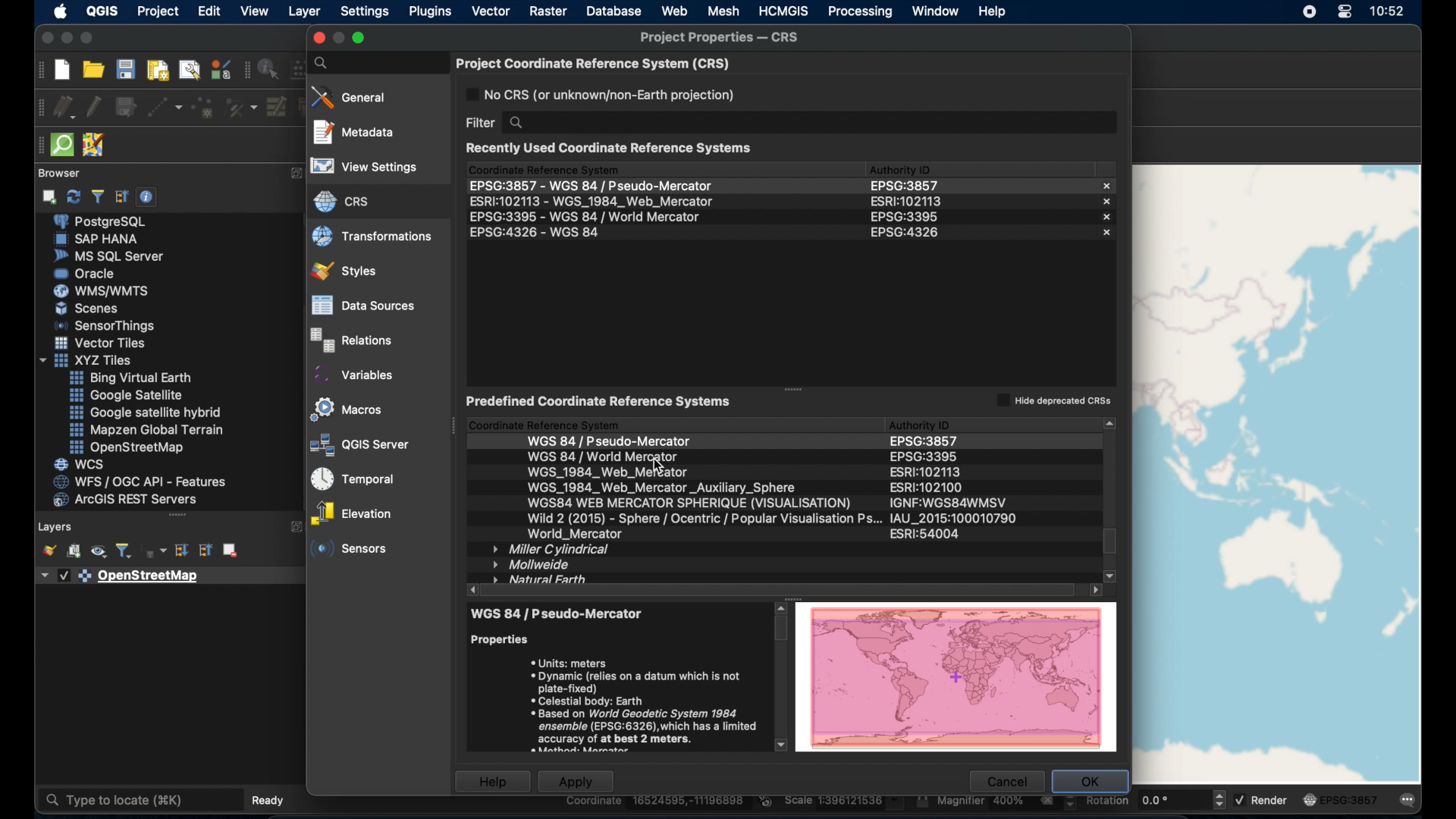  I want to click on scroll bae, so click(1112, 497).